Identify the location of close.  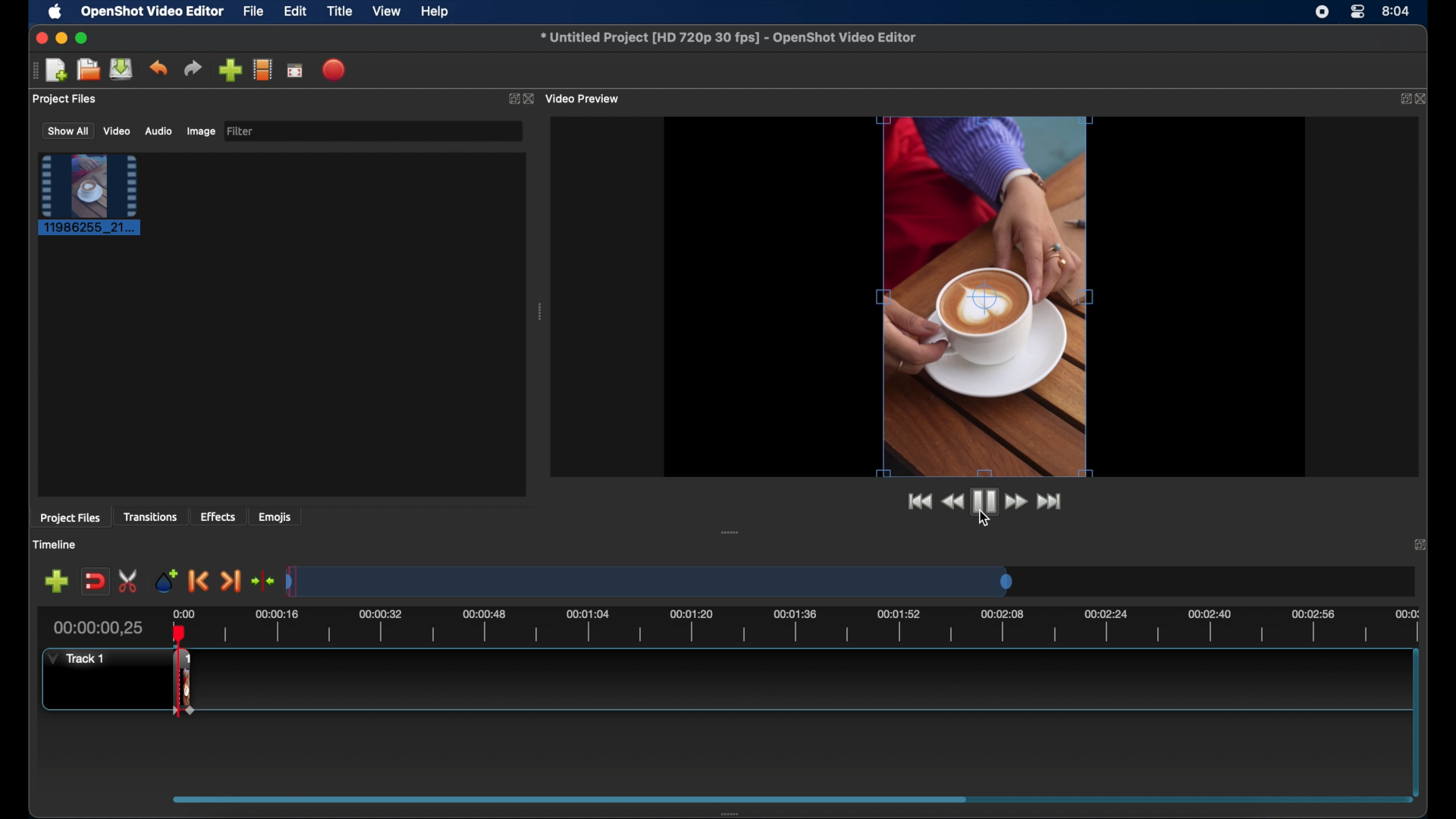
(41, 39).